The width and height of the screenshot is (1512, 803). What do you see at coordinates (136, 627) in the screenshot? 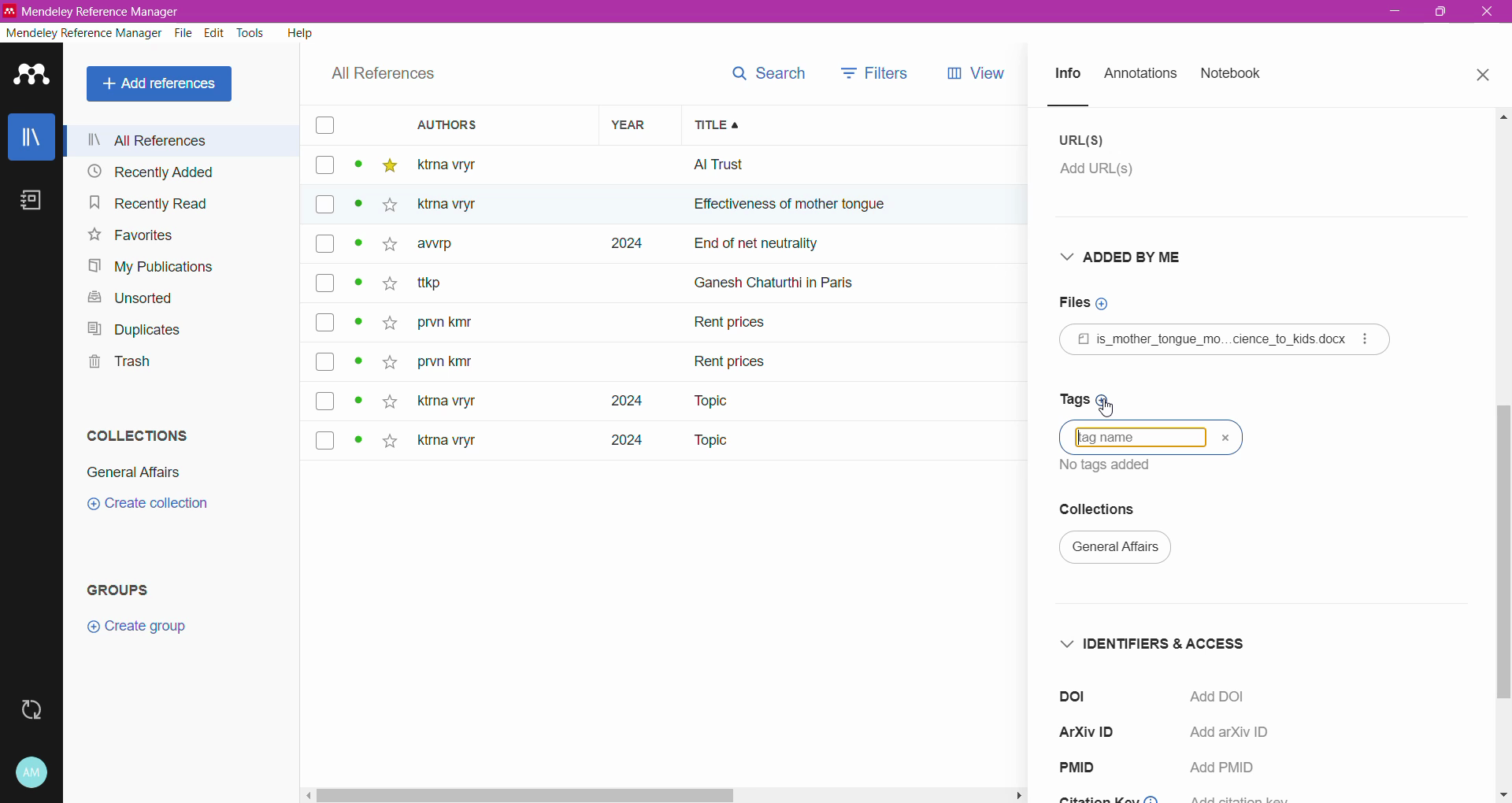
I see `Create group` at bounding box center [136, 627].